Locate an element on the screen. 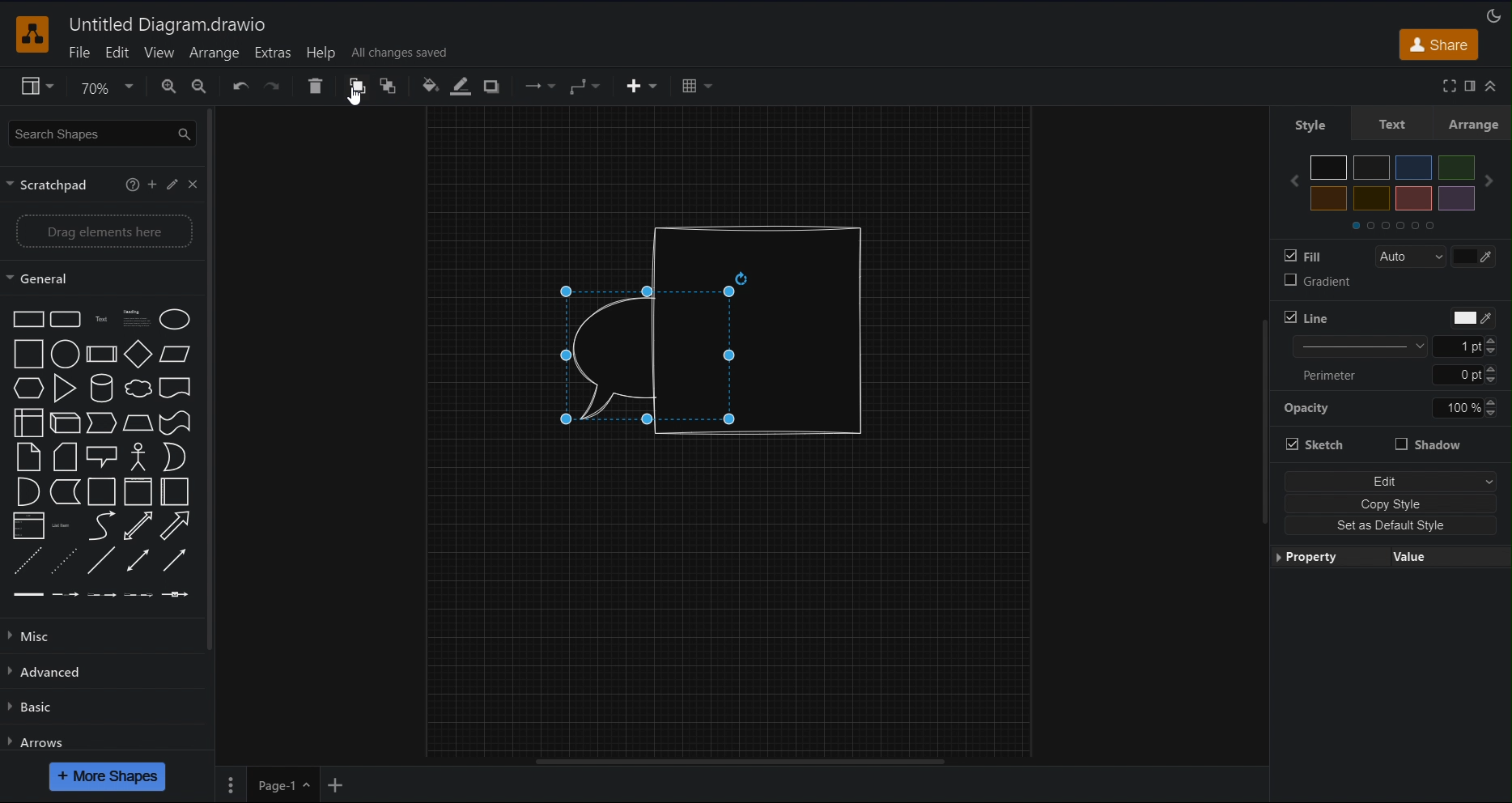 The image size is (1512, 803). Drag elements here is located at coordinates (100, 232).